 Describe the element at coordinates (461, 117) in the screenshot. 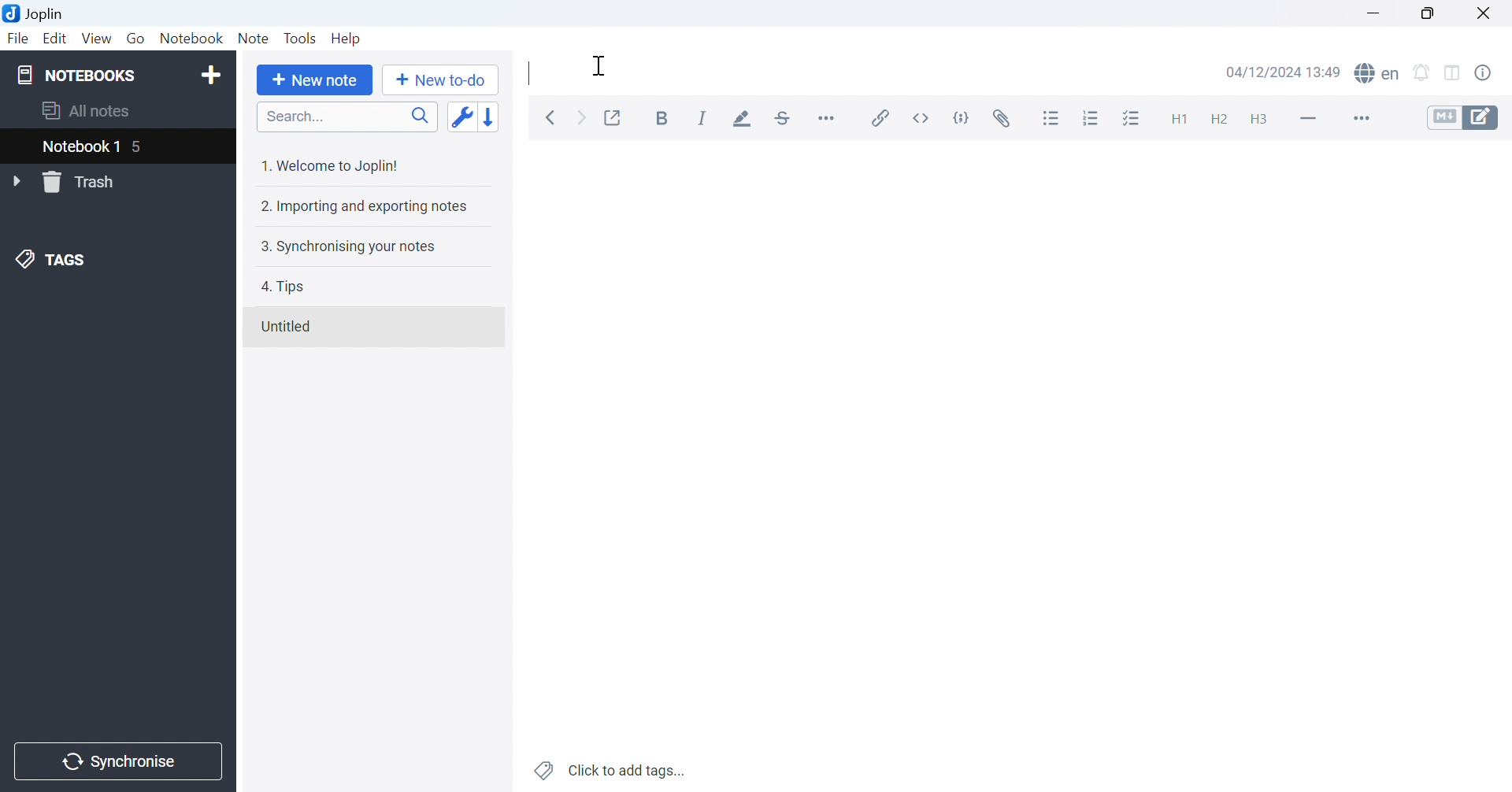

I see `Toggle sort order field` at that location.